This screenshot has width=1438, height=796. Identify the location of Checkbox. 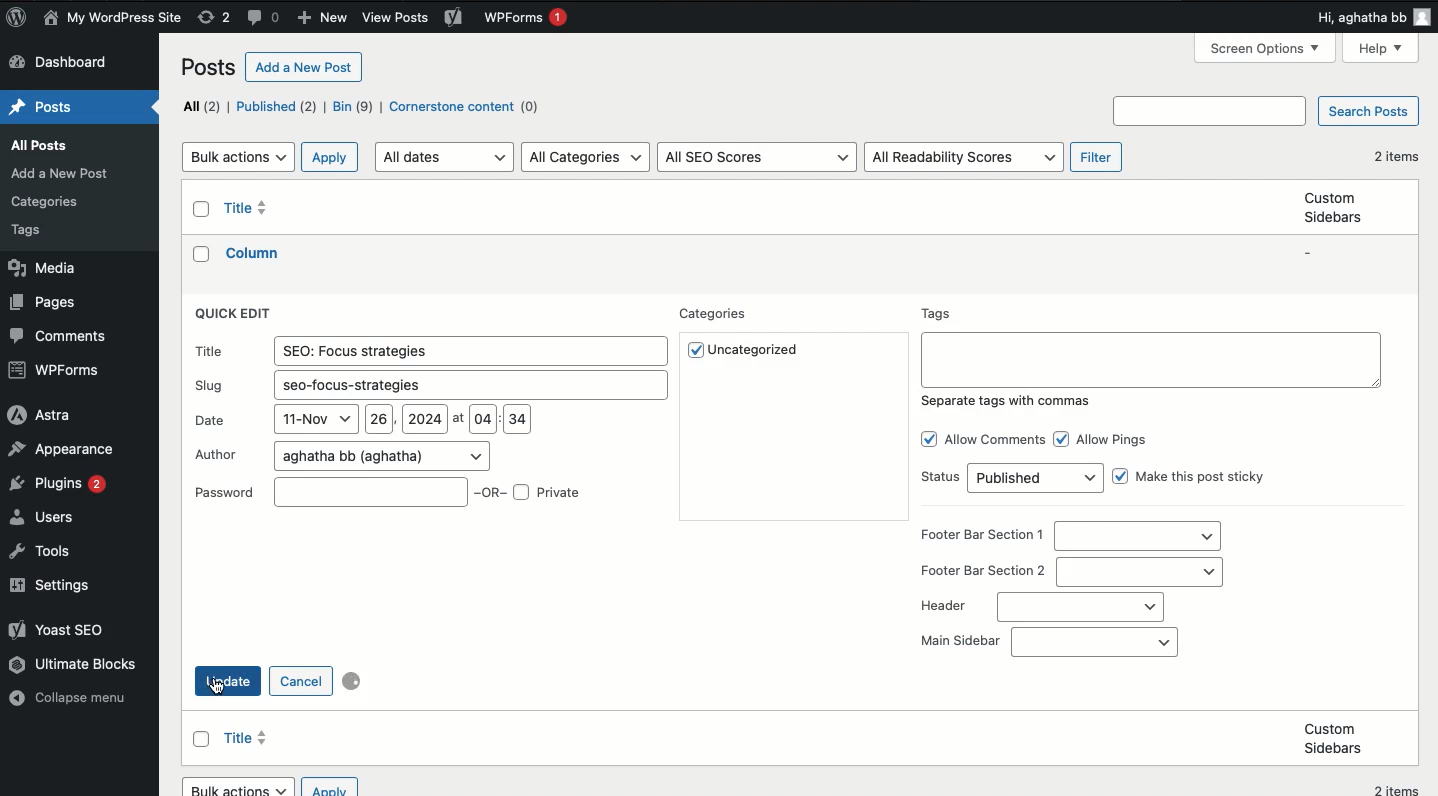
(202, 739).